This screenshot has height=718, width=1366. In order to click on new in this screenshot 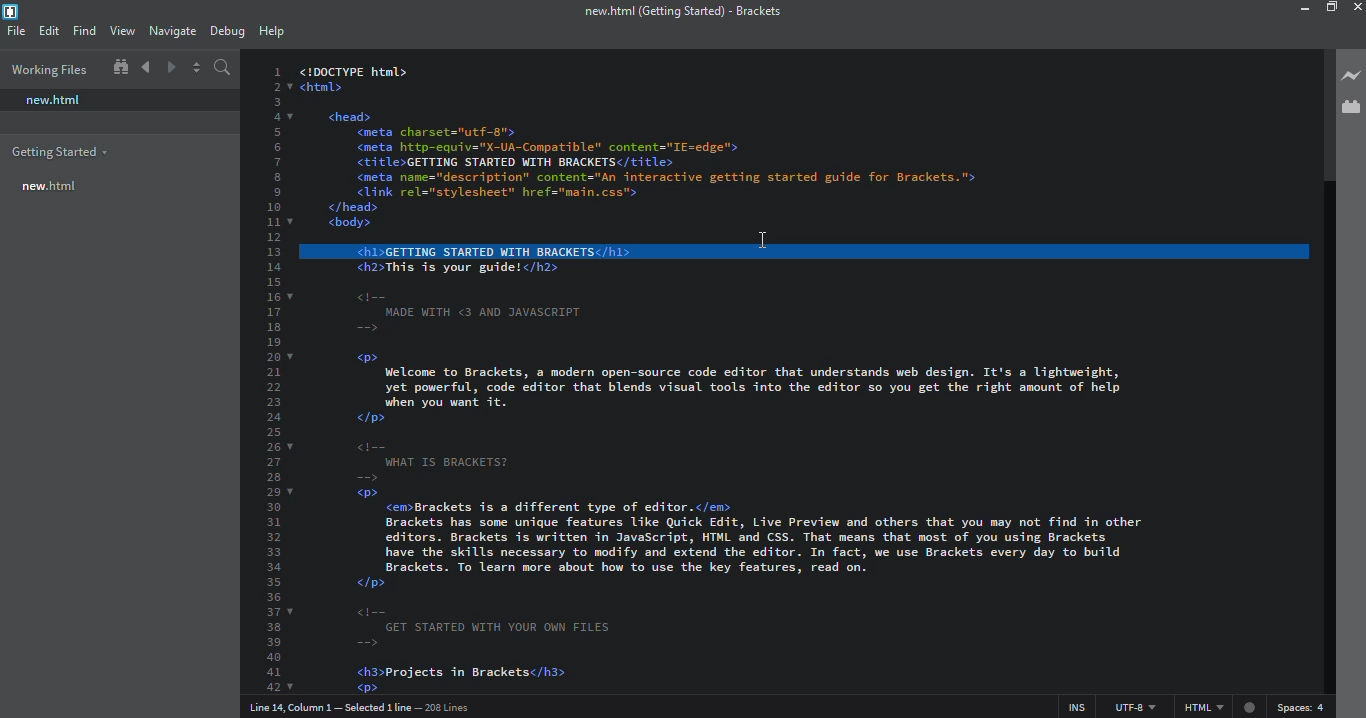, I will do `click(56, 100)`.